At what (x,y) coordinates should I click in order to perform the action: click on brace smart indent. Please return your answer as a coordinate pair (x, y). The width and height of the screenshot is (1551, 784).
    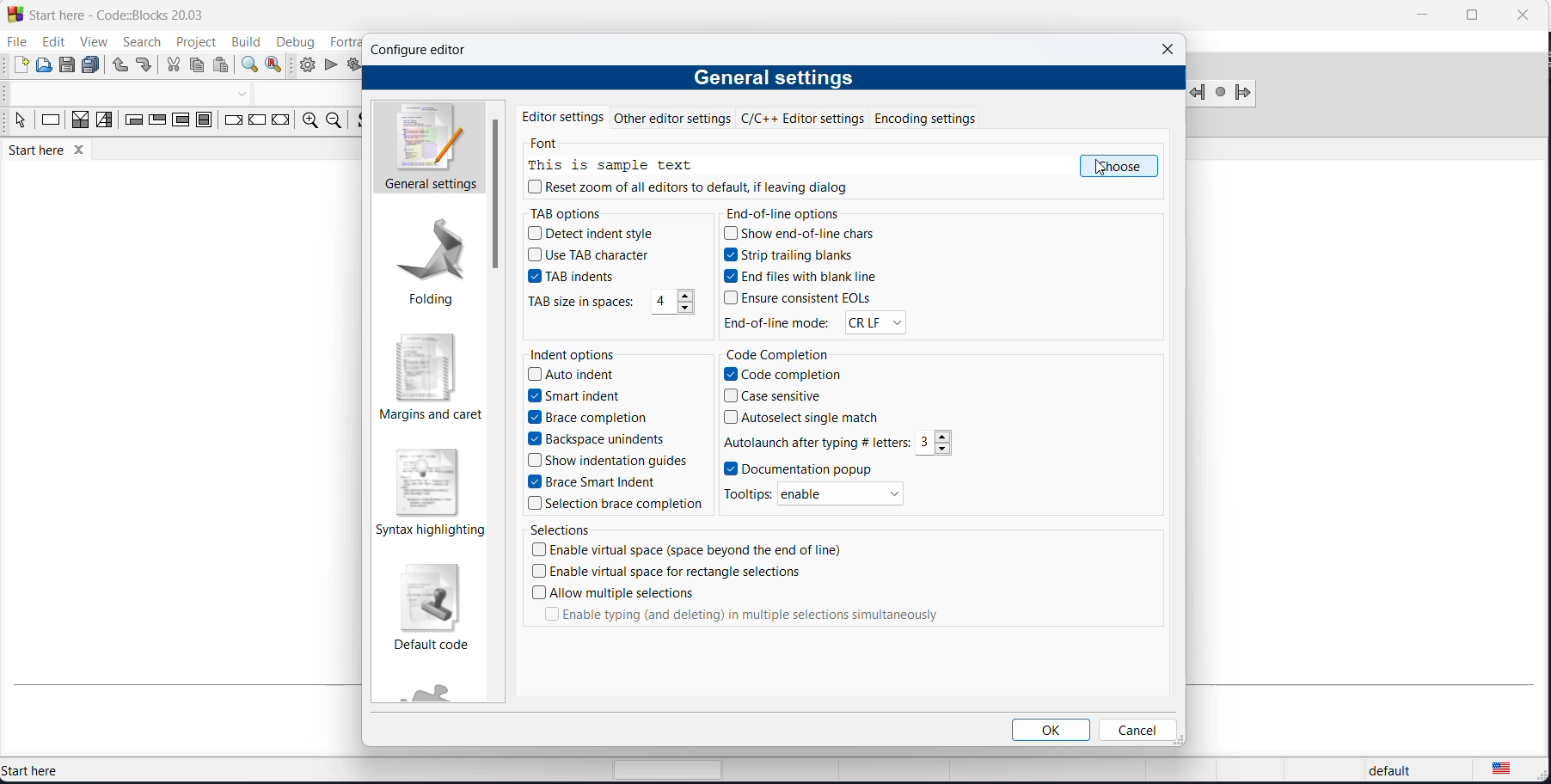
    Looking at the image, I should click on (598, 484).